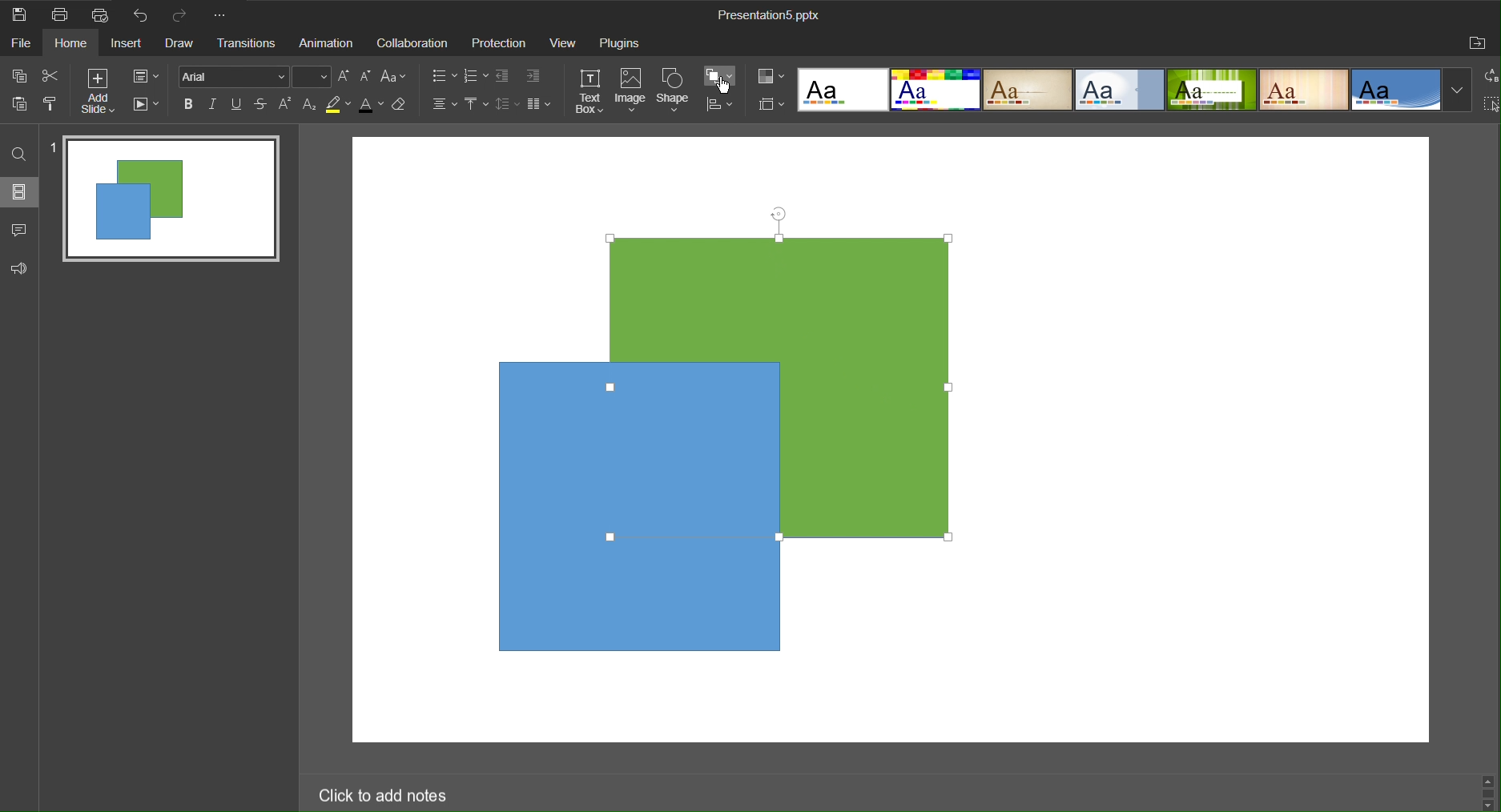 This screenshot has width=1501, height=812. What do you see at coordinates (474, 74) in the screenshot?
I see `numbered list` at bounding box center [474, 74].